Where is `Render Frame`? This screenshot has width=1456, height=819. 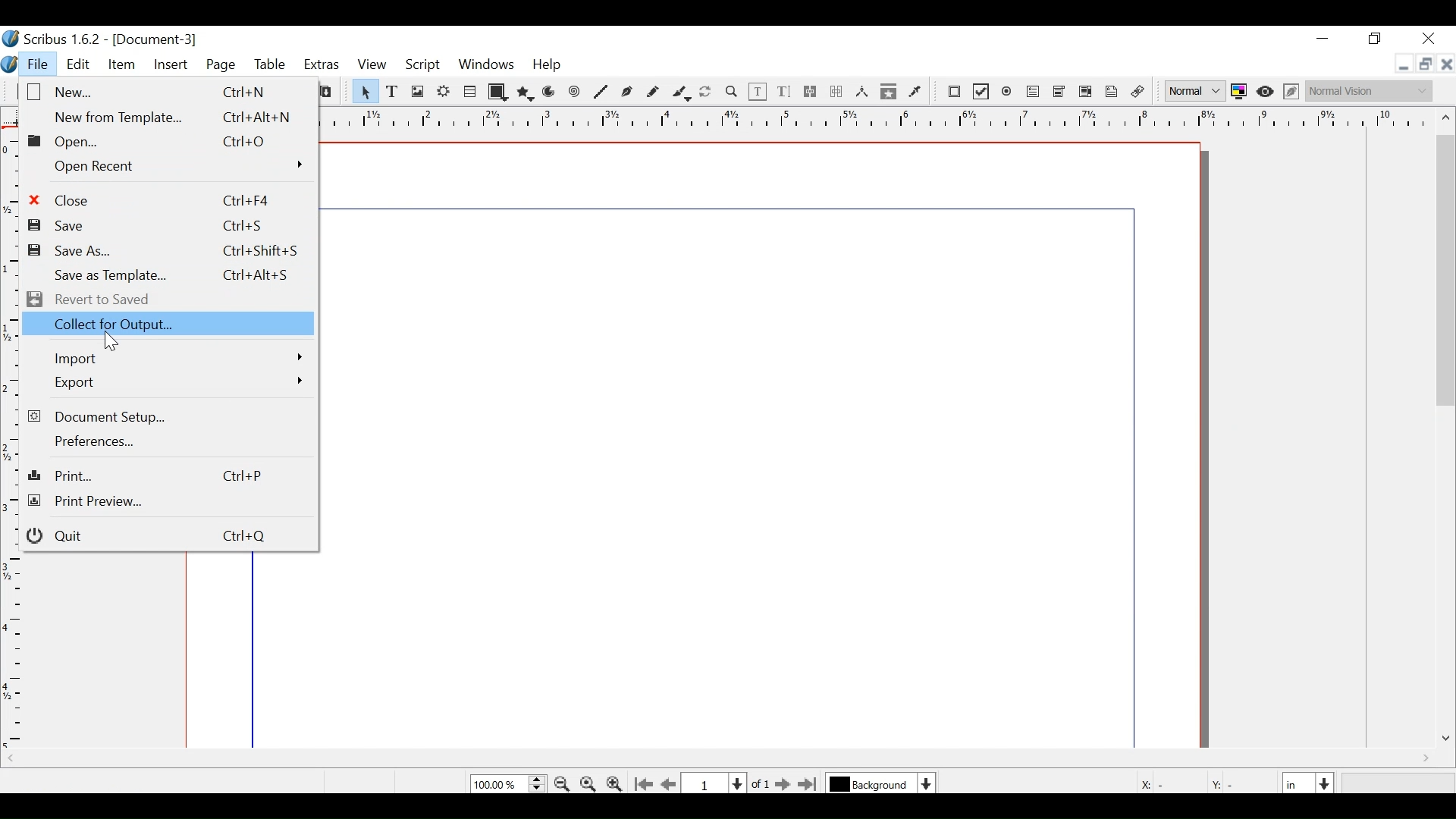
Render Frame is located at coordinates (444, 91).